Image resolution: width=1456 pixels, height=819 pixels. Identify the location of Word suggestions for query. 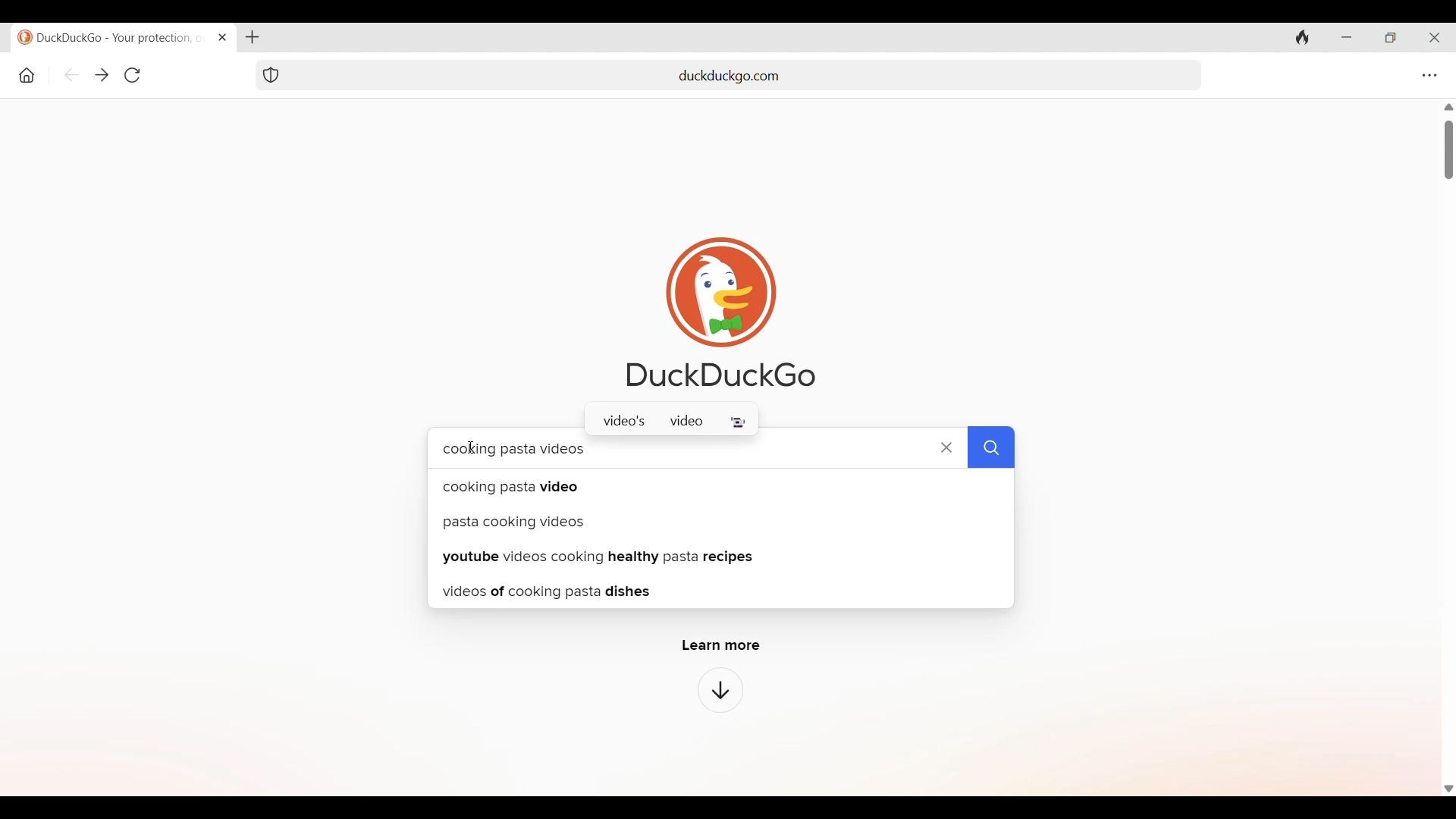
(671, 422).